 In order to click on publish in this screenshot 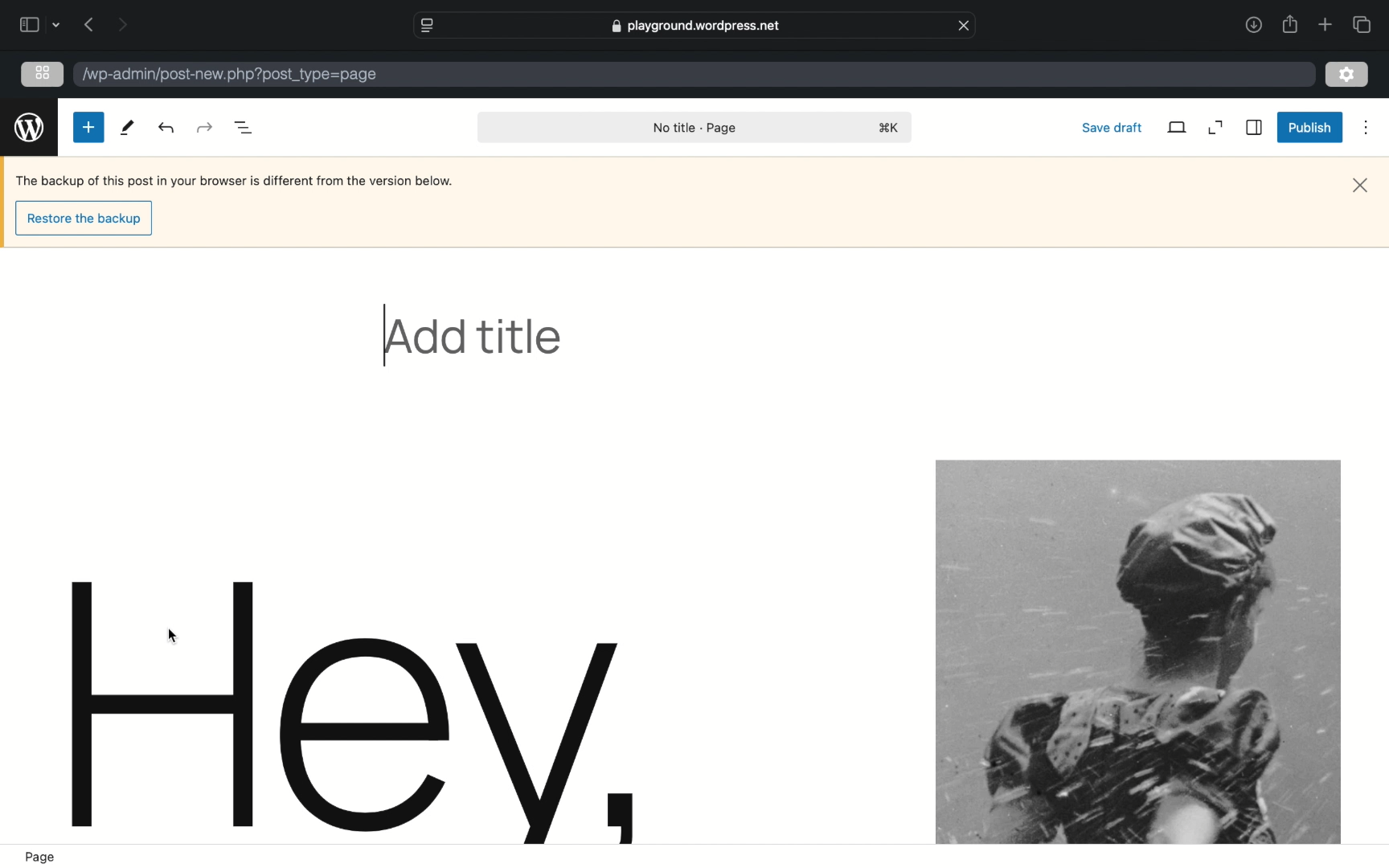, I will do `click(1308, 127)`.